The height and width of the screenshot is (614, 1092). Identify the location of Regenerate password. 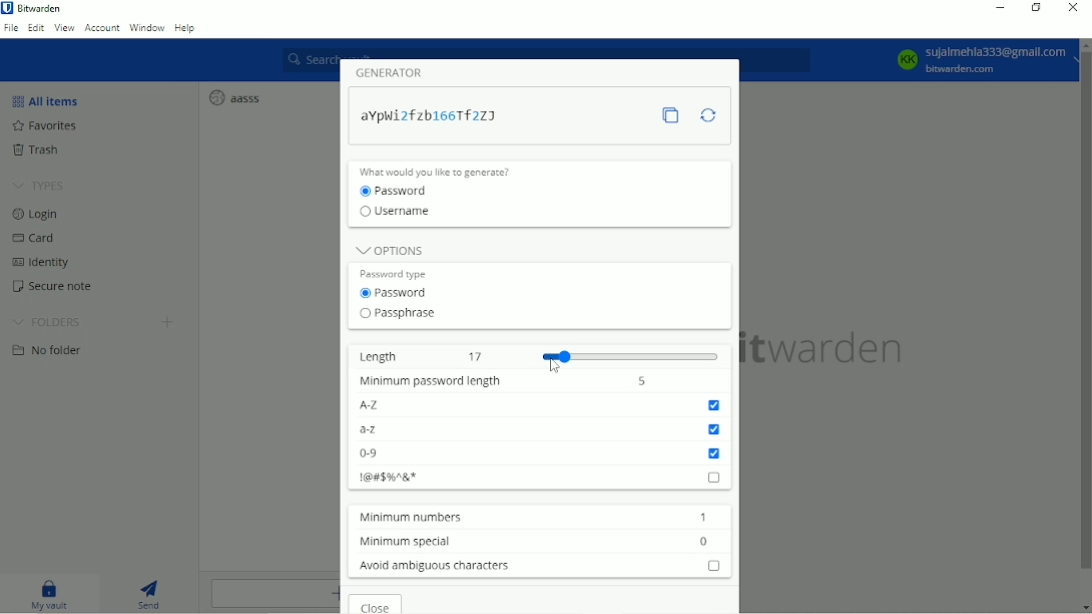
(708, 115).